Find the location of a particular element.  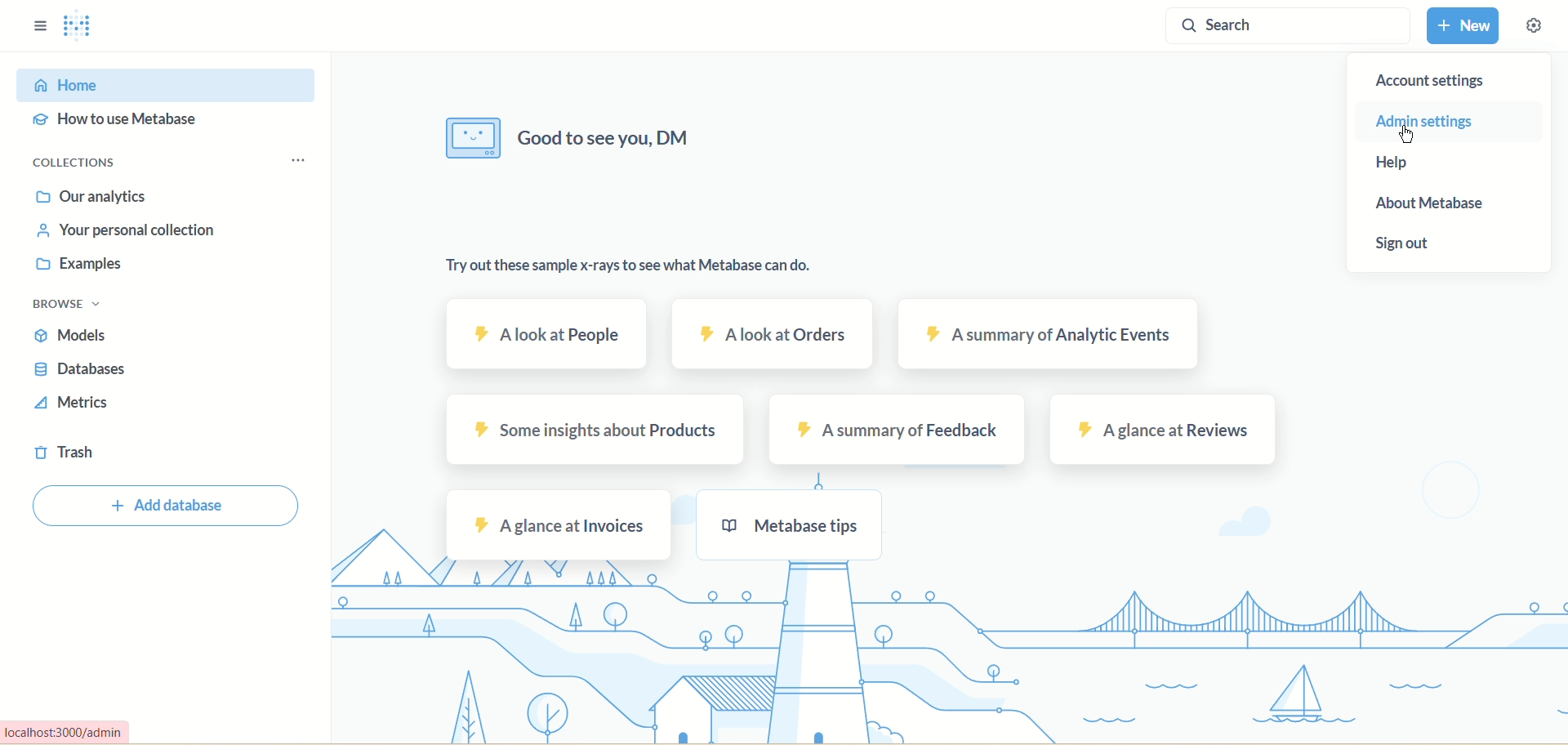

browse is located at coordinates (70, 305).